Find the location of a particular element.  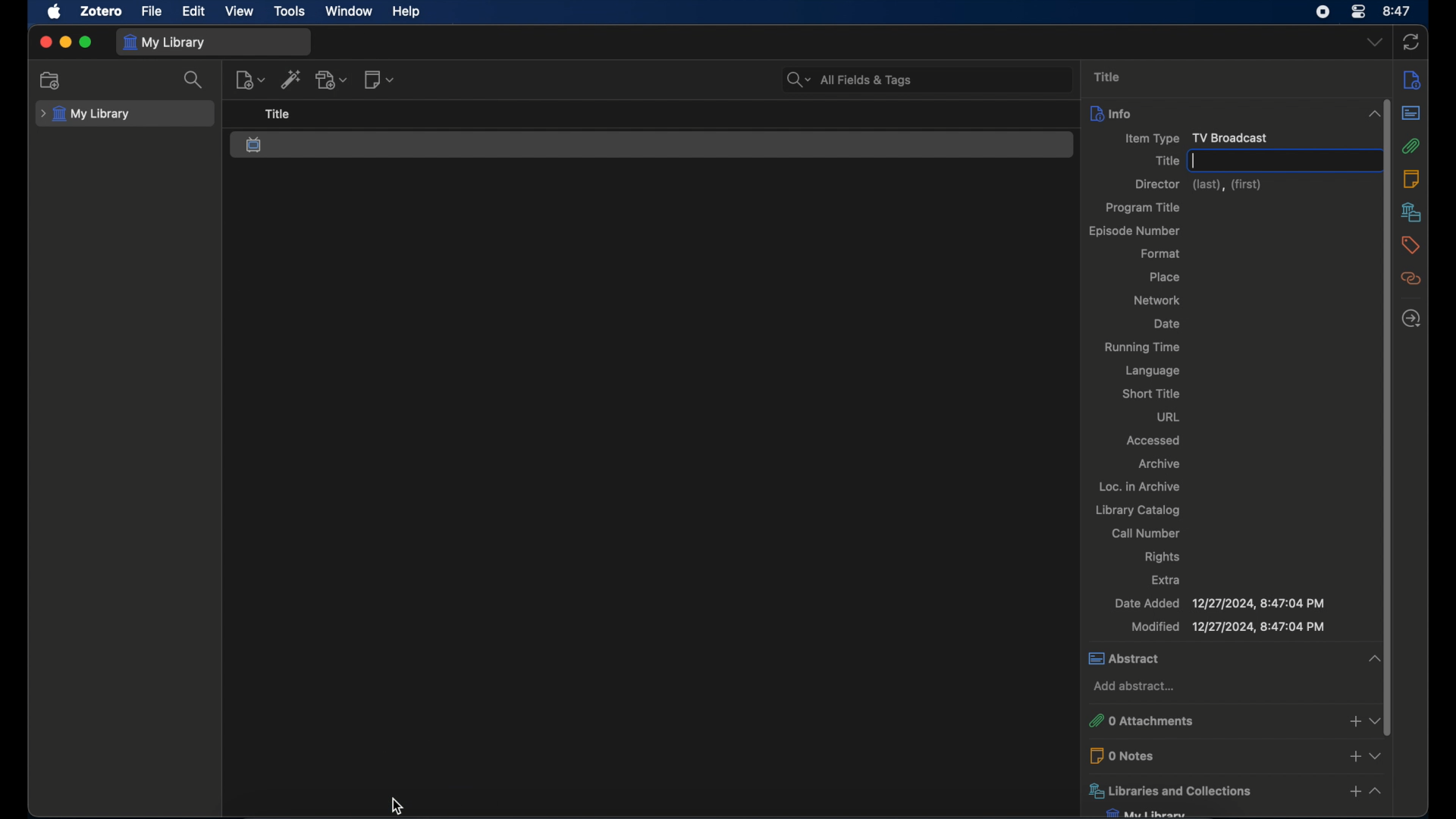

dropdown is located at coordinates (1376, 720).